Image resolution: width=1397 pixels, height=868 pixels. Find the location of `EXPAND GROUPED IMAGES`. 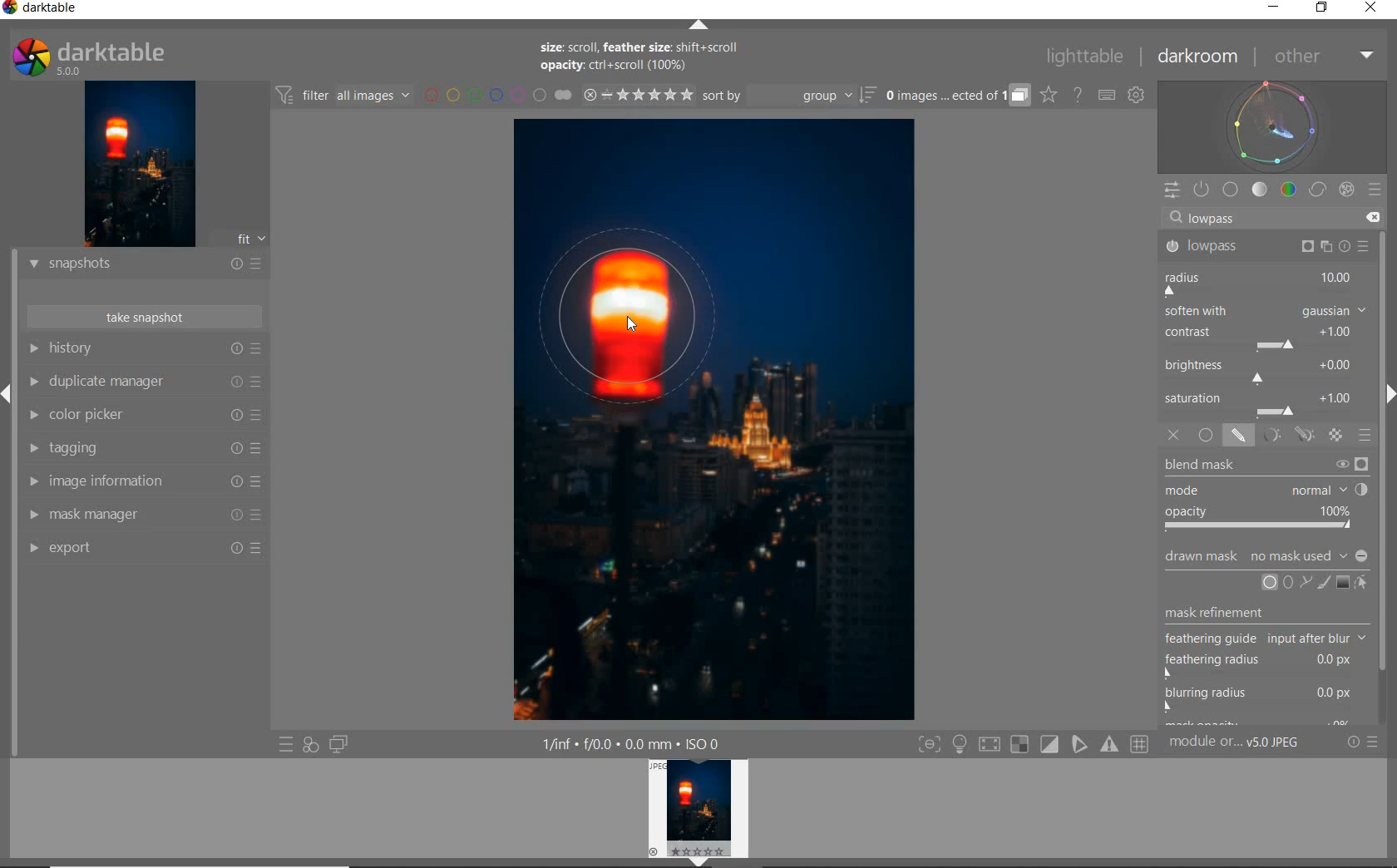

EXPAND GROUPED IMAGES is located at coordinates (955, 96).